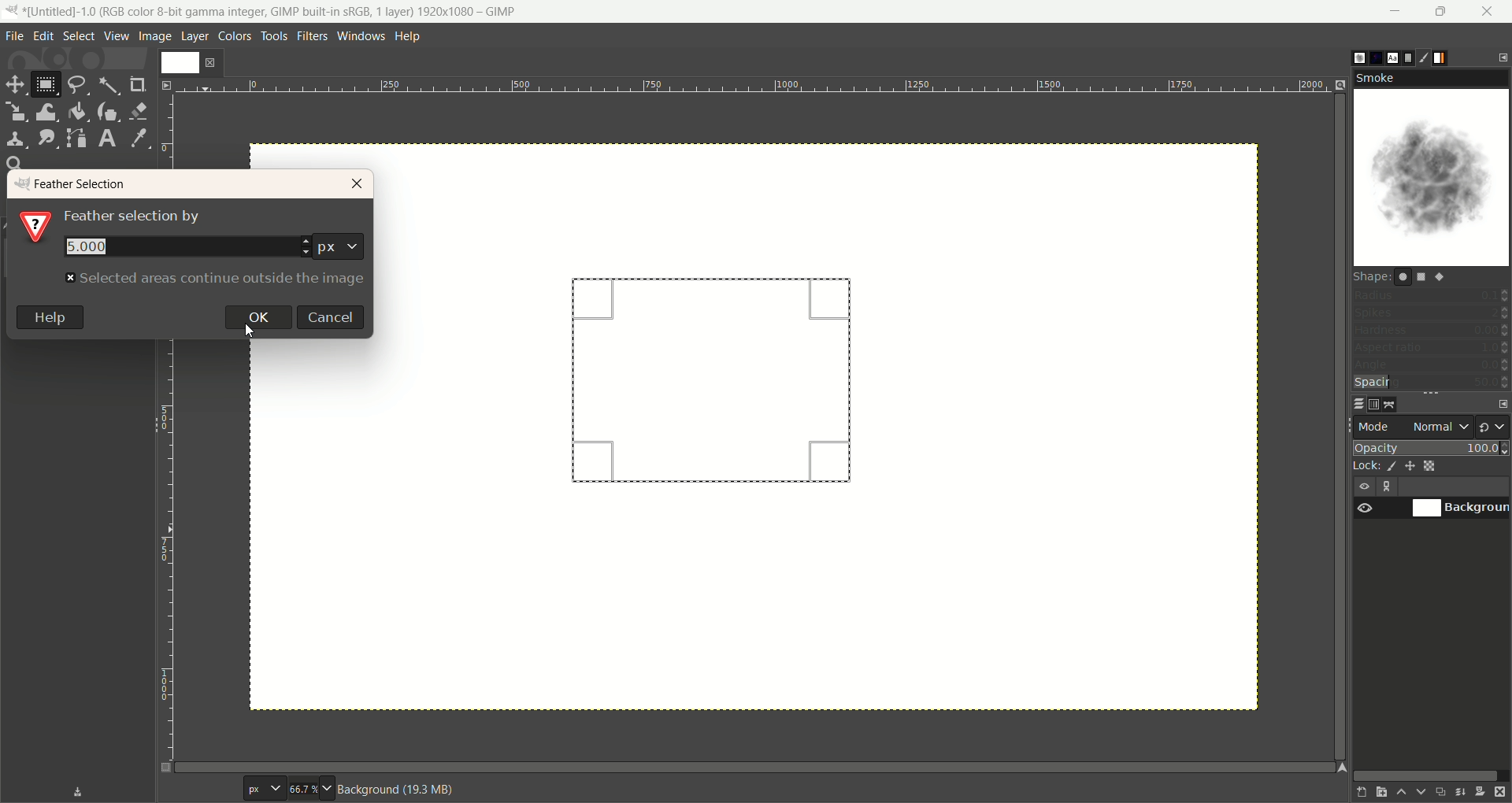 The height and width of the screenshot is (803, 1512). I want to click on visibility, so click(1365, 487).